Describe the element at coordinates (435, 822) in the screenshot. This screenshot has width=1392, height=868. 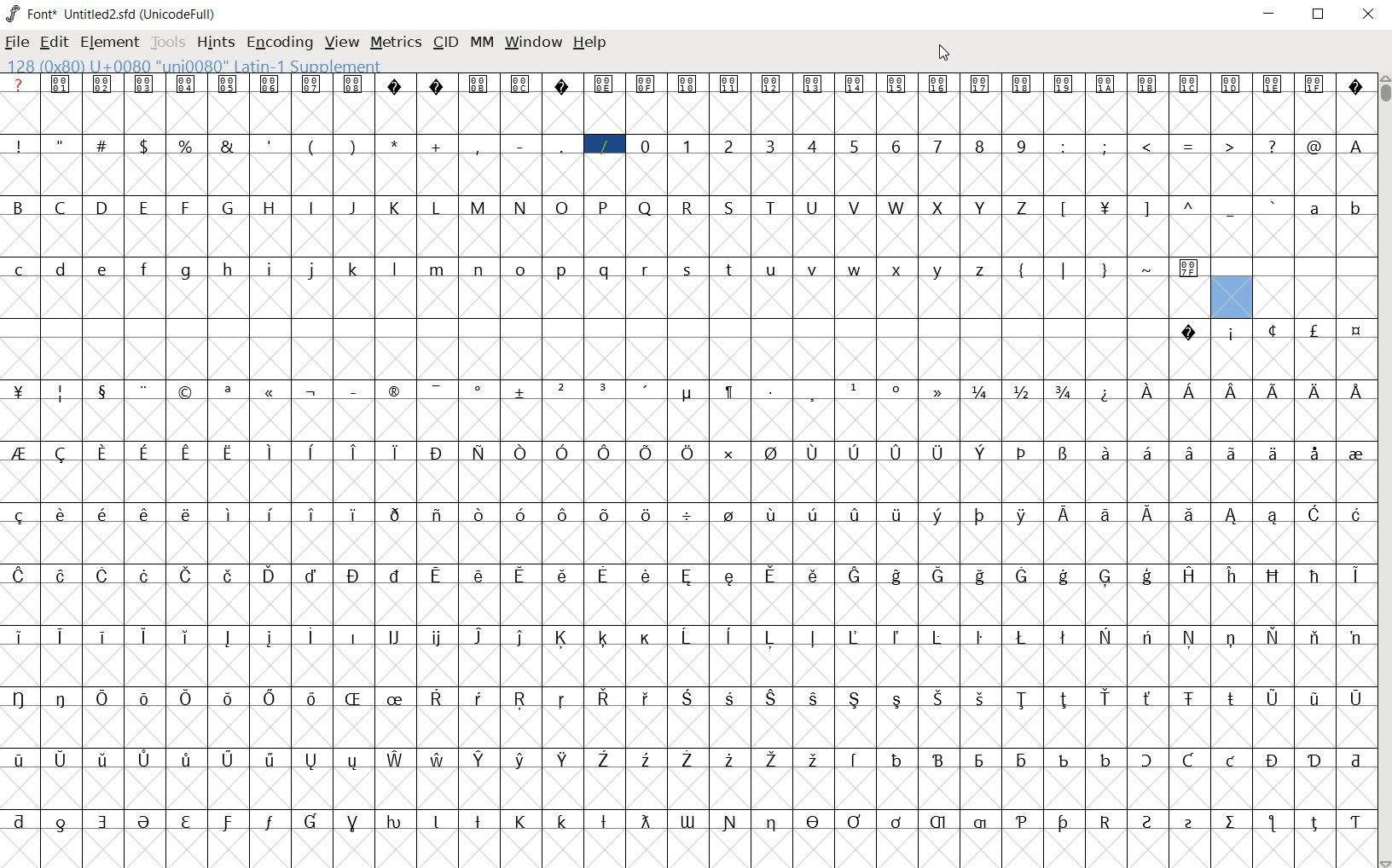
I see `glyph` at that location.